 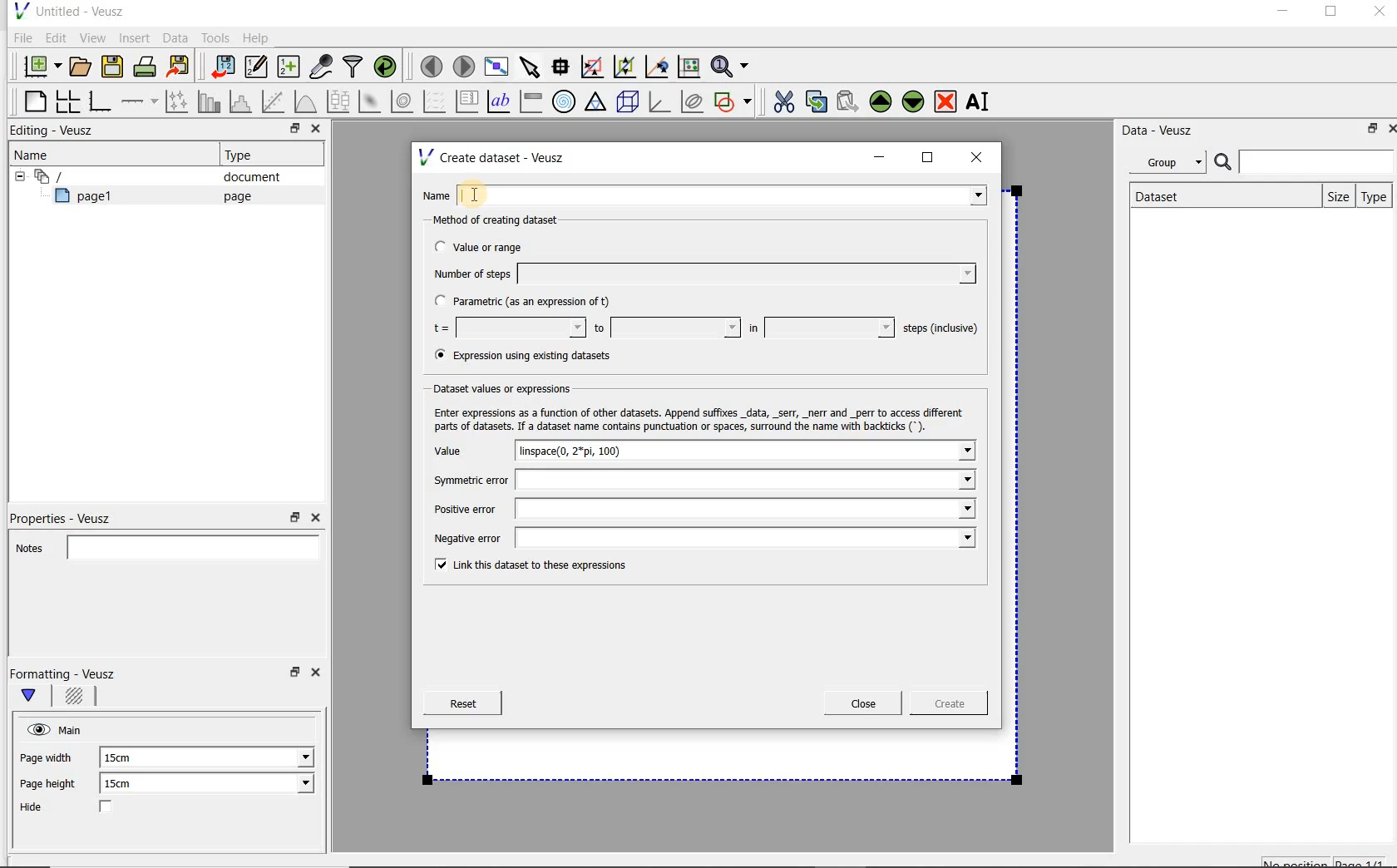 What do you see at coordinates (665, 328) in the screenshot?
I see `to` at bounding box center [665, 328].